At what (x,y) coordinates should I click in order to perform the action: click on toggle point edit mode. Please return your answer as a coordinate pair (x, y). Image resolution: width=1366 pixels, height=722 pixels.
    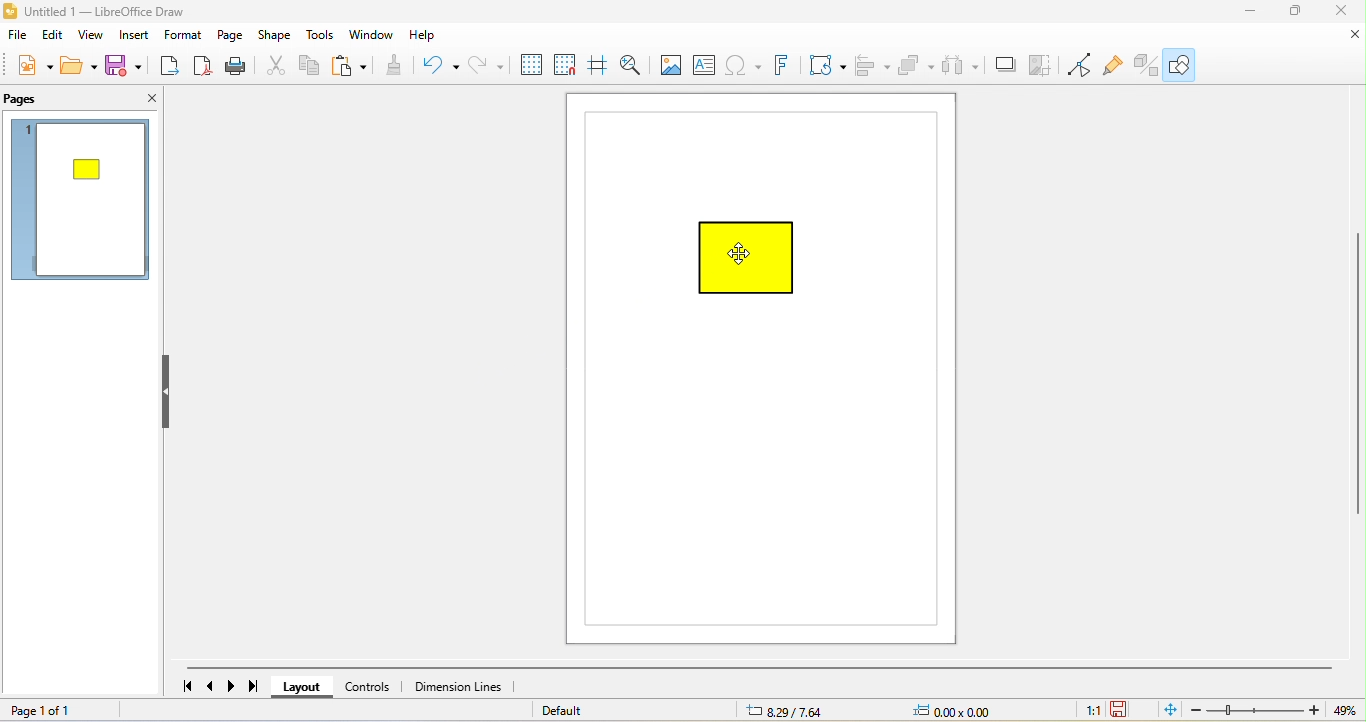
    Looking at the image, I should click on (1084, 65).